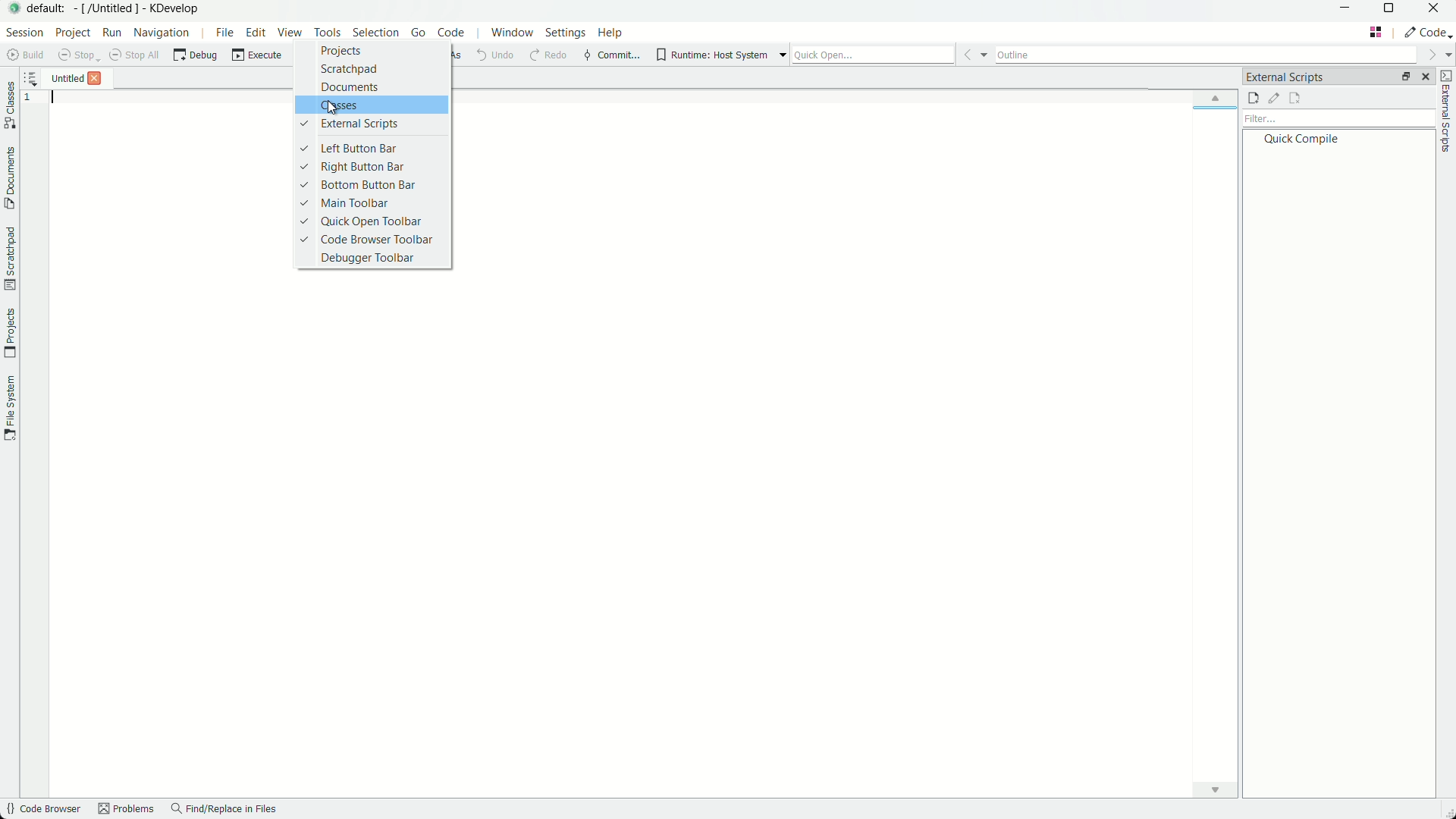  What do you see at coordinates (565, 33) in the screenshot?
I see `settings` at bounding box center [565, 33].